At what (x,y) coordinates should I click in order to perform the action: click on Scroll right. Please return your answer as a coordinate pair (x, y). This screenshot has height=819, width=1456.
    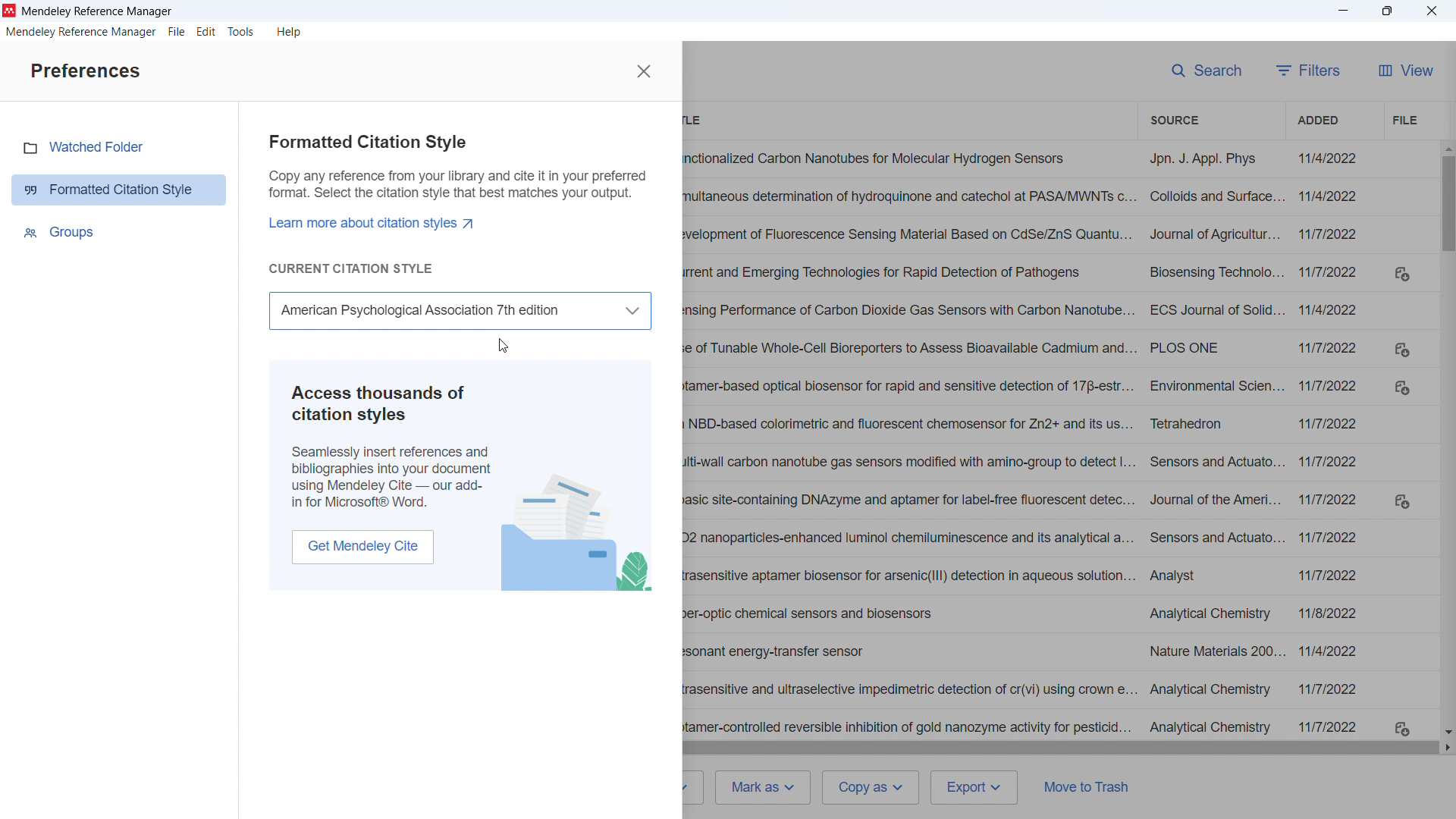
    Looking at the image, I should click on (1447, 748).